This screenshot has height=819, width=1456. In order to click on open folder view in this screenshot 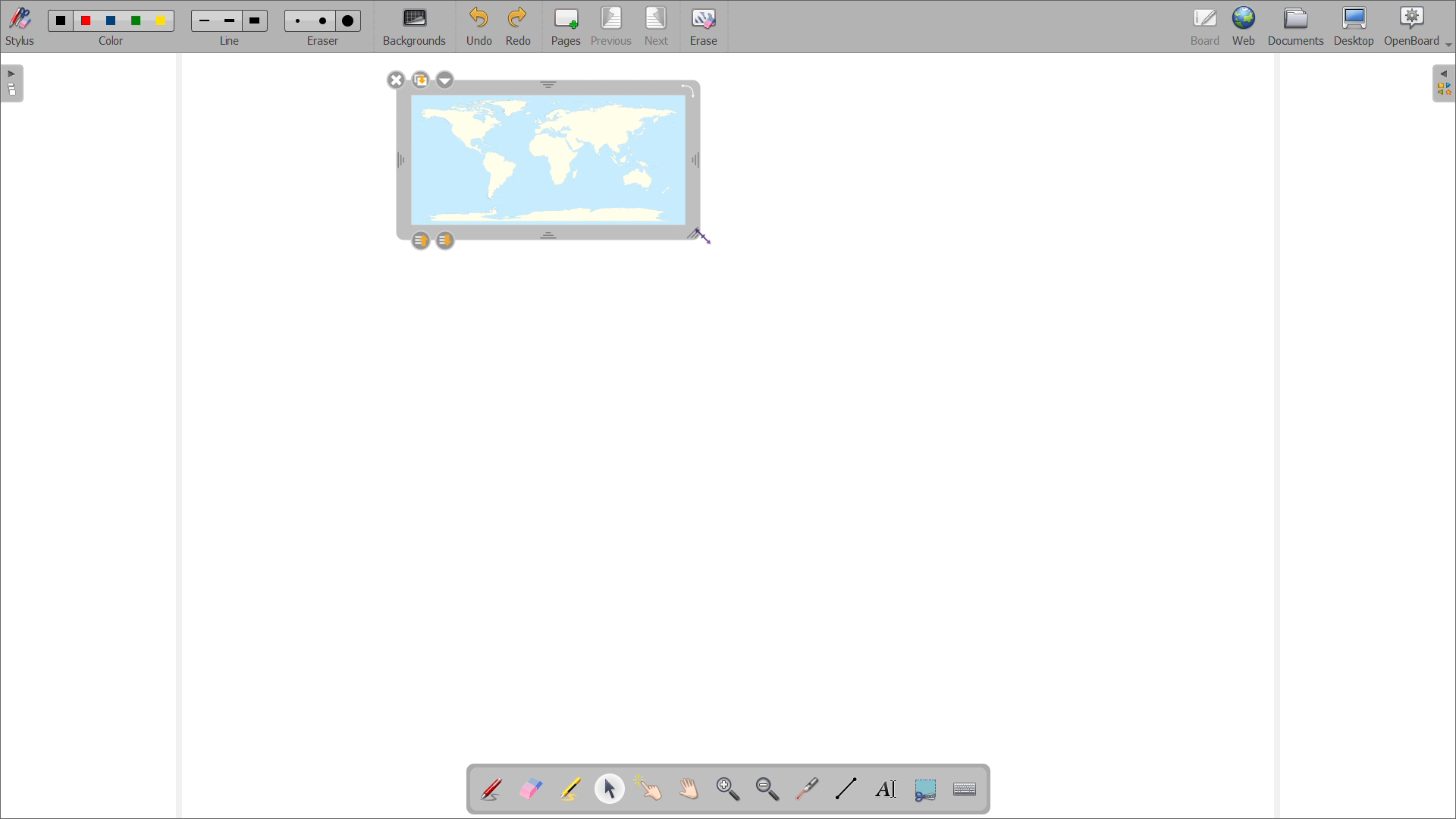, I will do `click(1444, 83)`.